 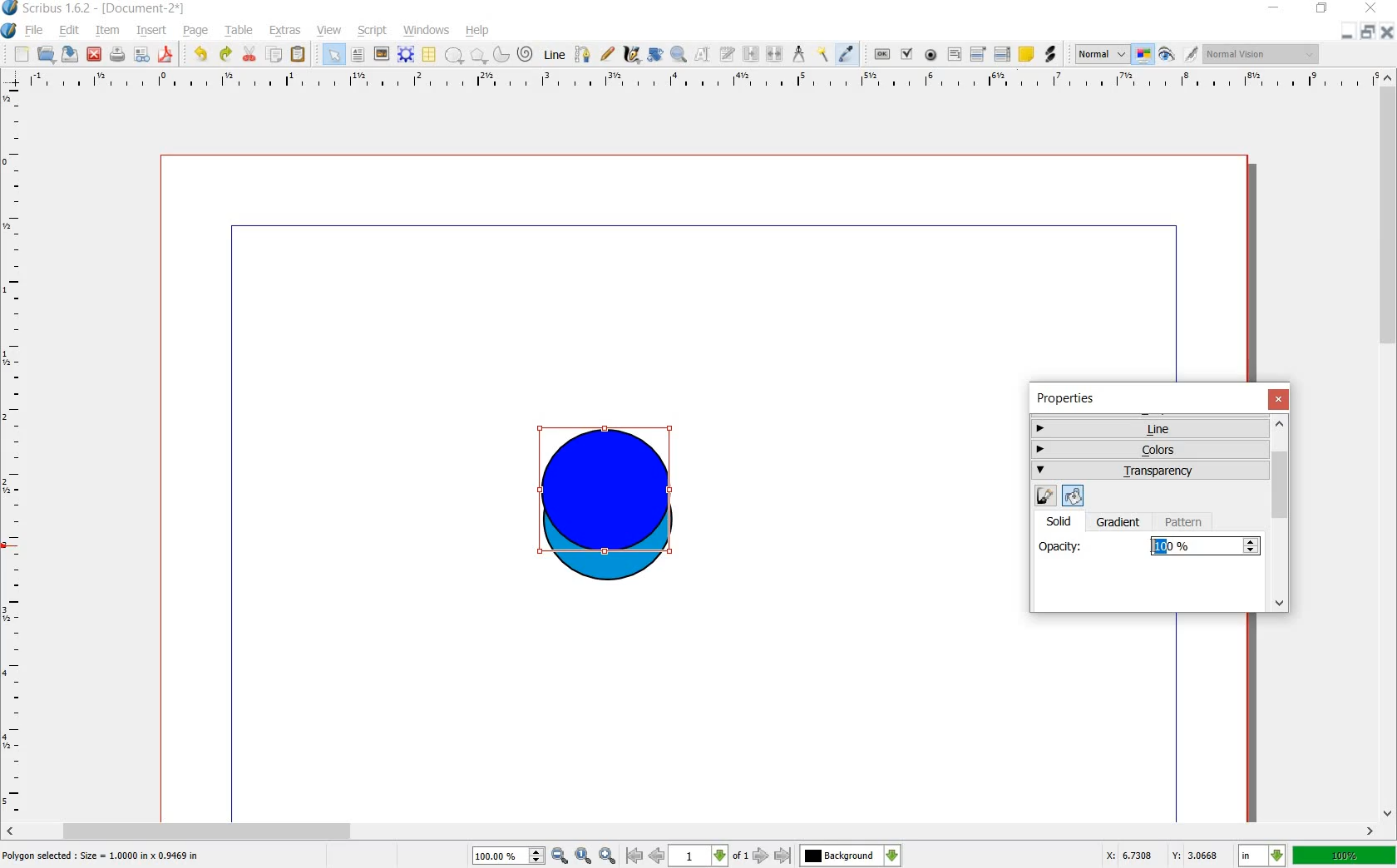 What do you see at coordinates (800, 55) in the screenshot?
I see `measurement` at bounding box center [800, 55].